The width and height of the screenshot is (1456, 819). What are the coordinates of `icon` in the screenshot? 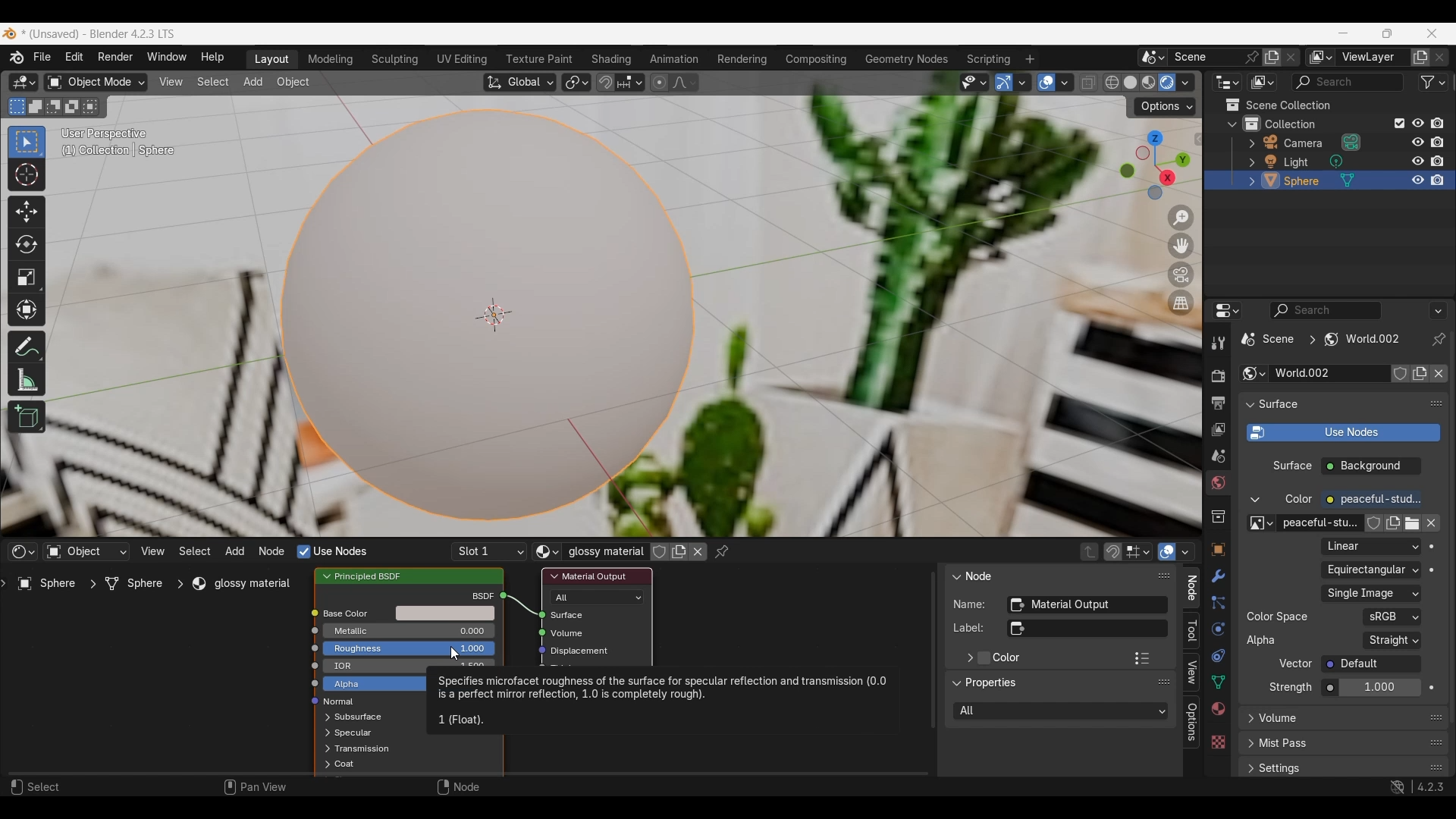 It's located at (315, 631).